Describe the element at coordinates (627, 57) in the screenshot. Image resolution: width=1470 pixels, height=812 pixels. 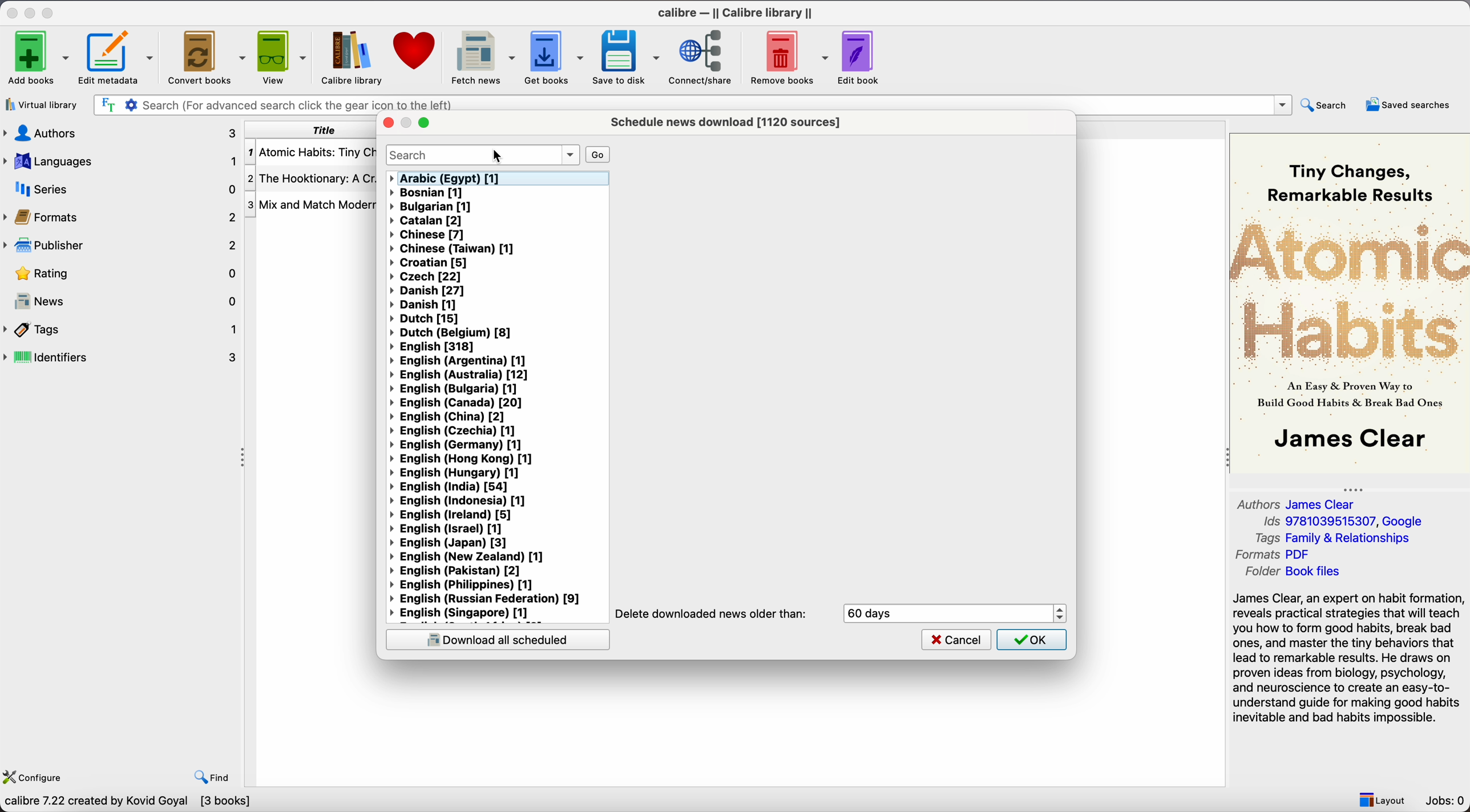
I see `save to disk` at that location.